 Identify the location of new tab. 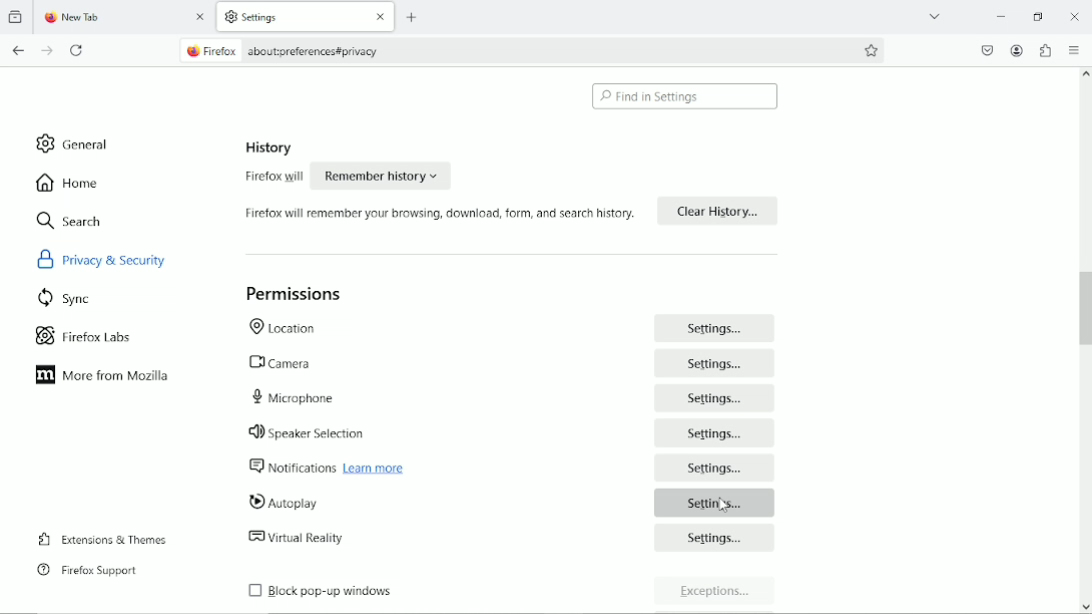
(414, 17).